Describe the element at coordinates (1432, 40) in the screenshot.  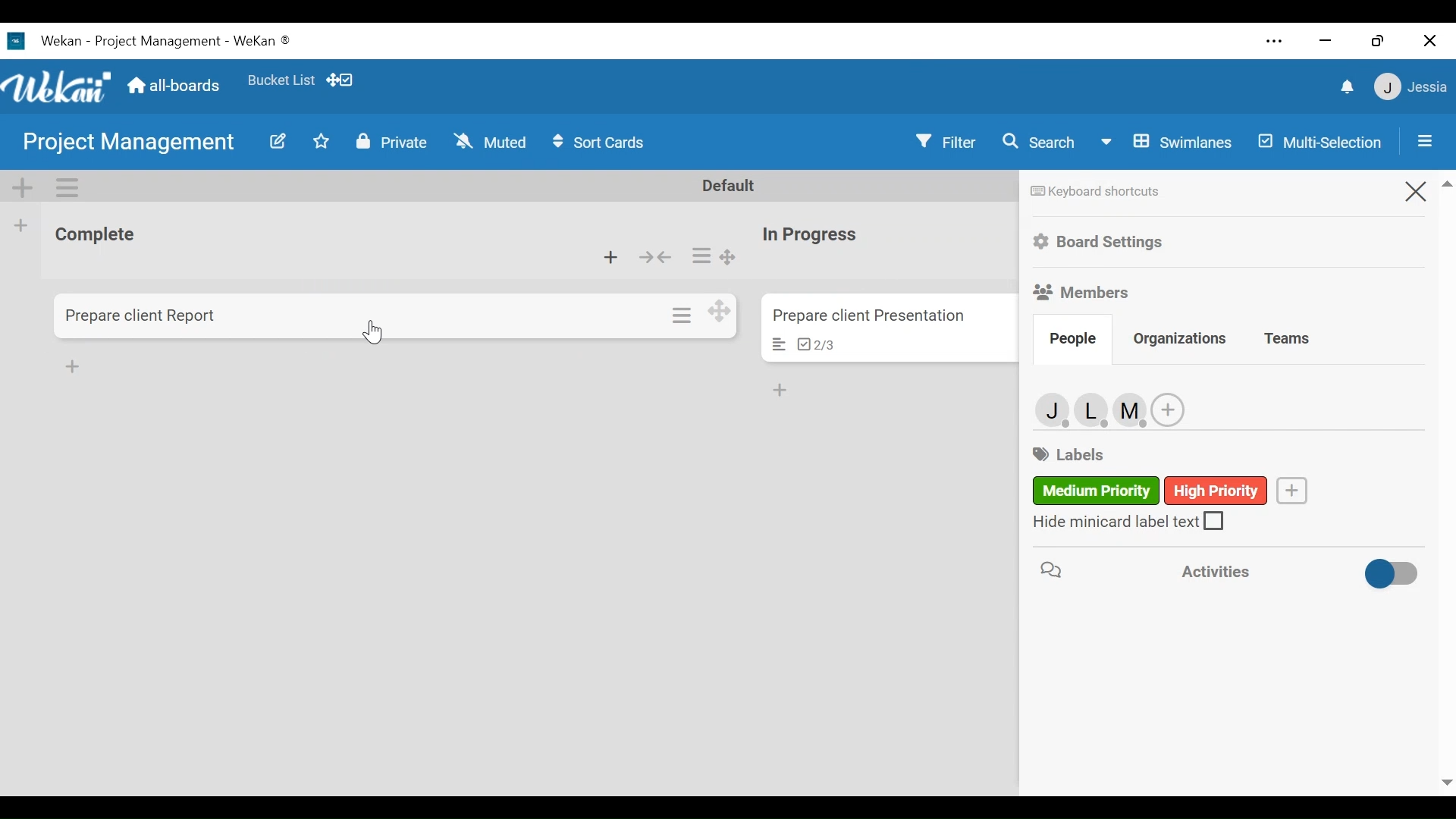
I see `Close` at that location.